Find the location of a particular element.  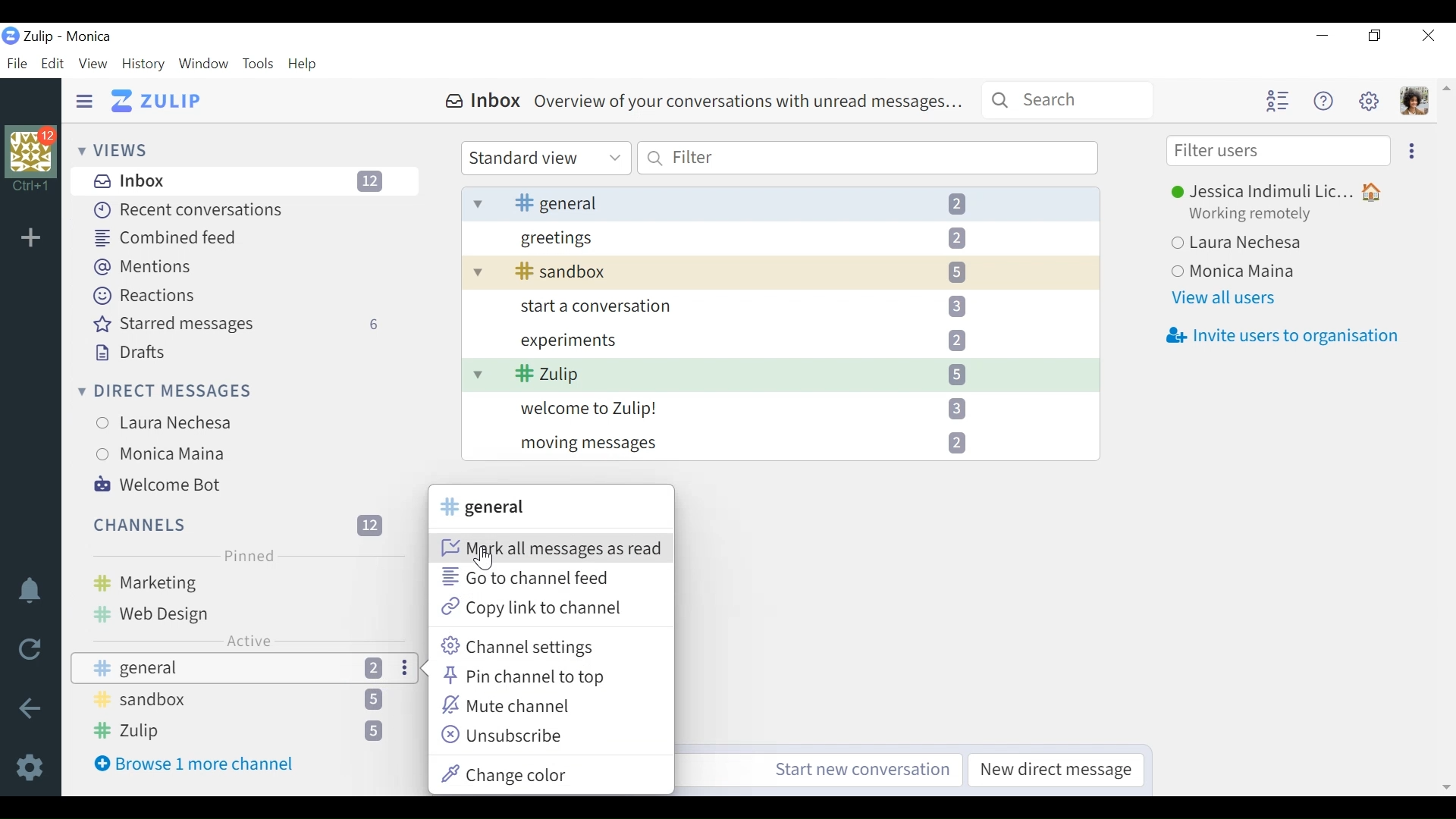

Edit is located at coordinates (51, 64).